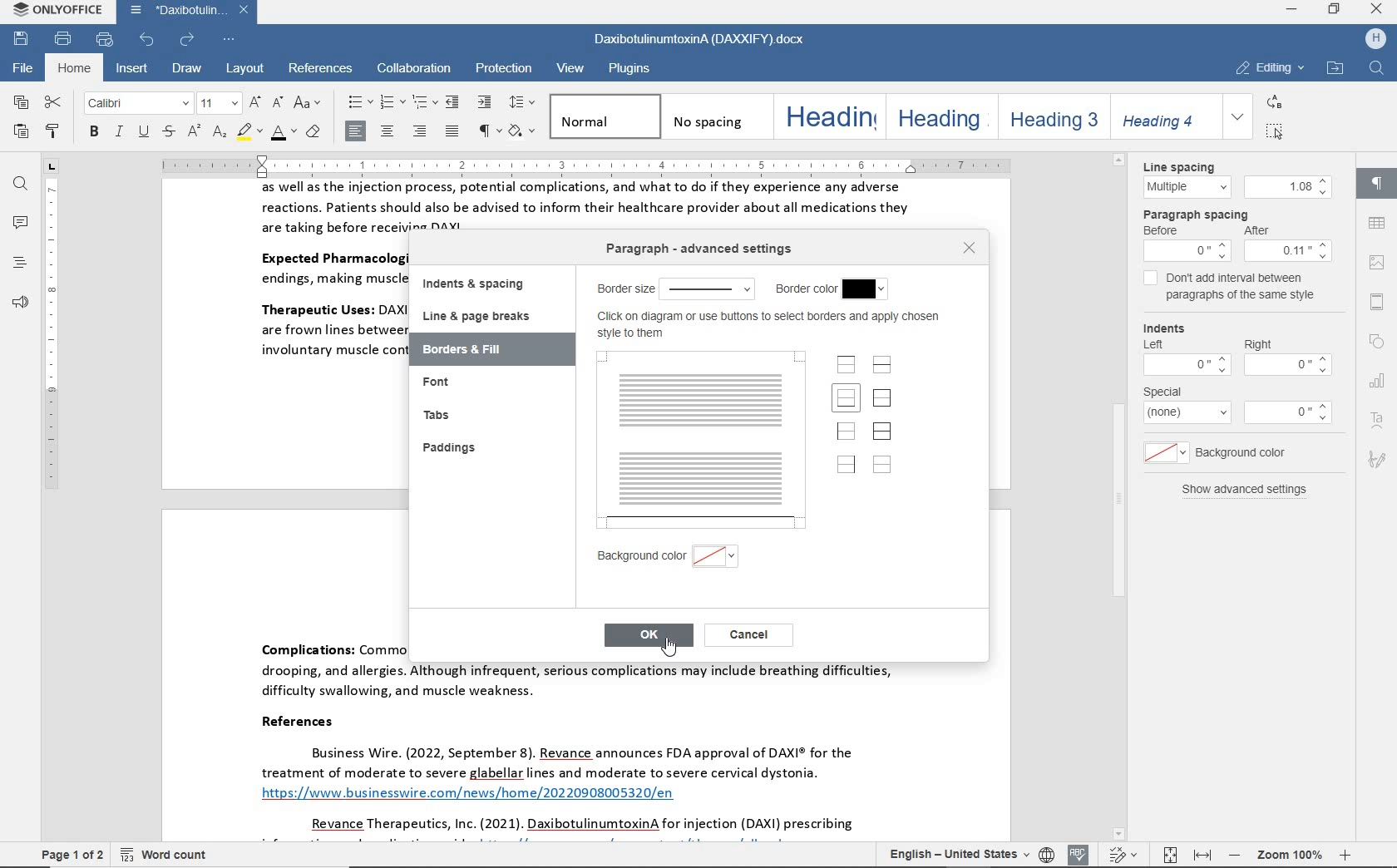 This screenshot has width=1397, height=868. Describe the element at coordinates (244, 69) in the screenshot. I see `layout` at that location.